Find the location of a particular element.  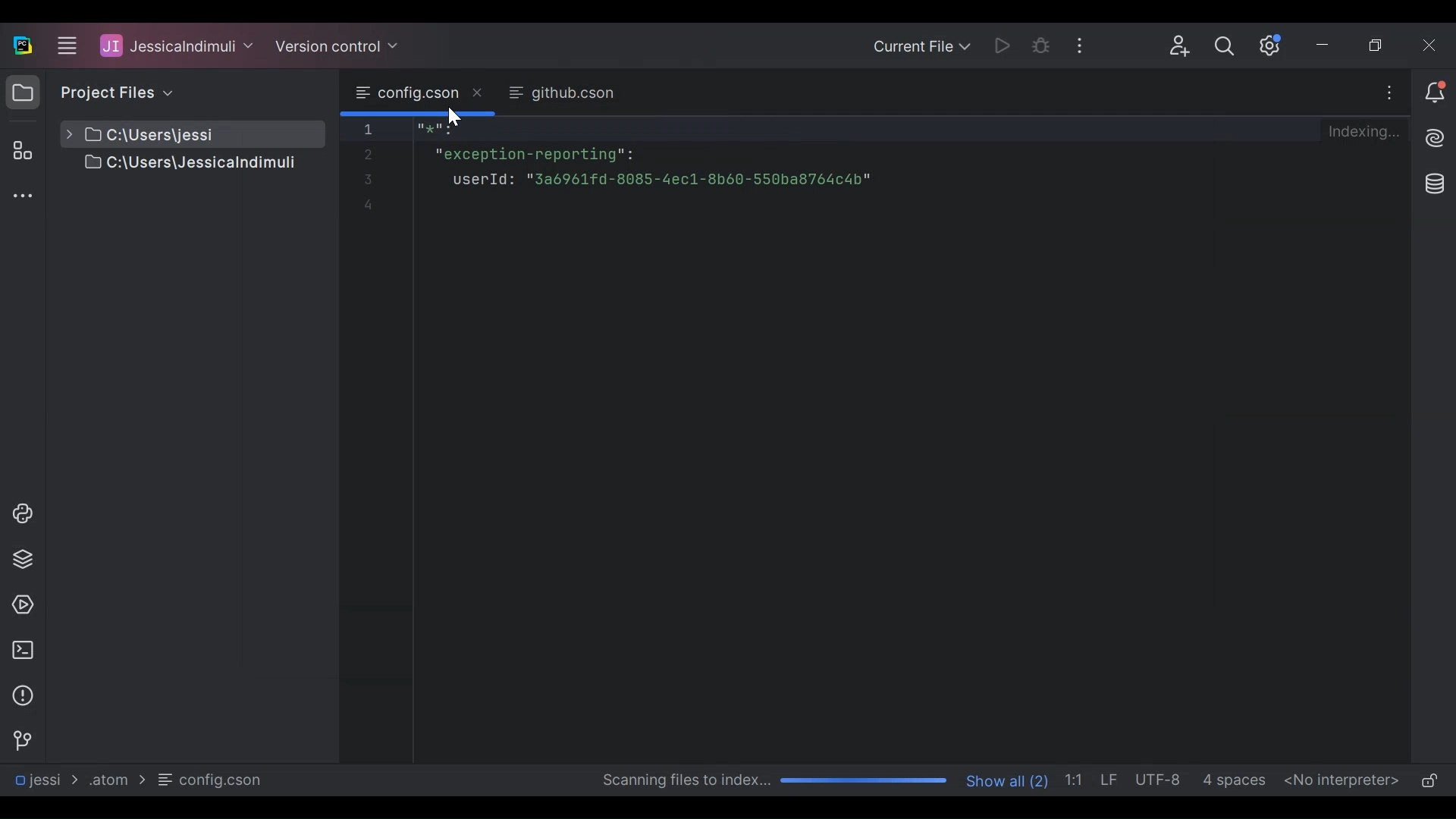

Main Menu is located at coordinates (65, 43).